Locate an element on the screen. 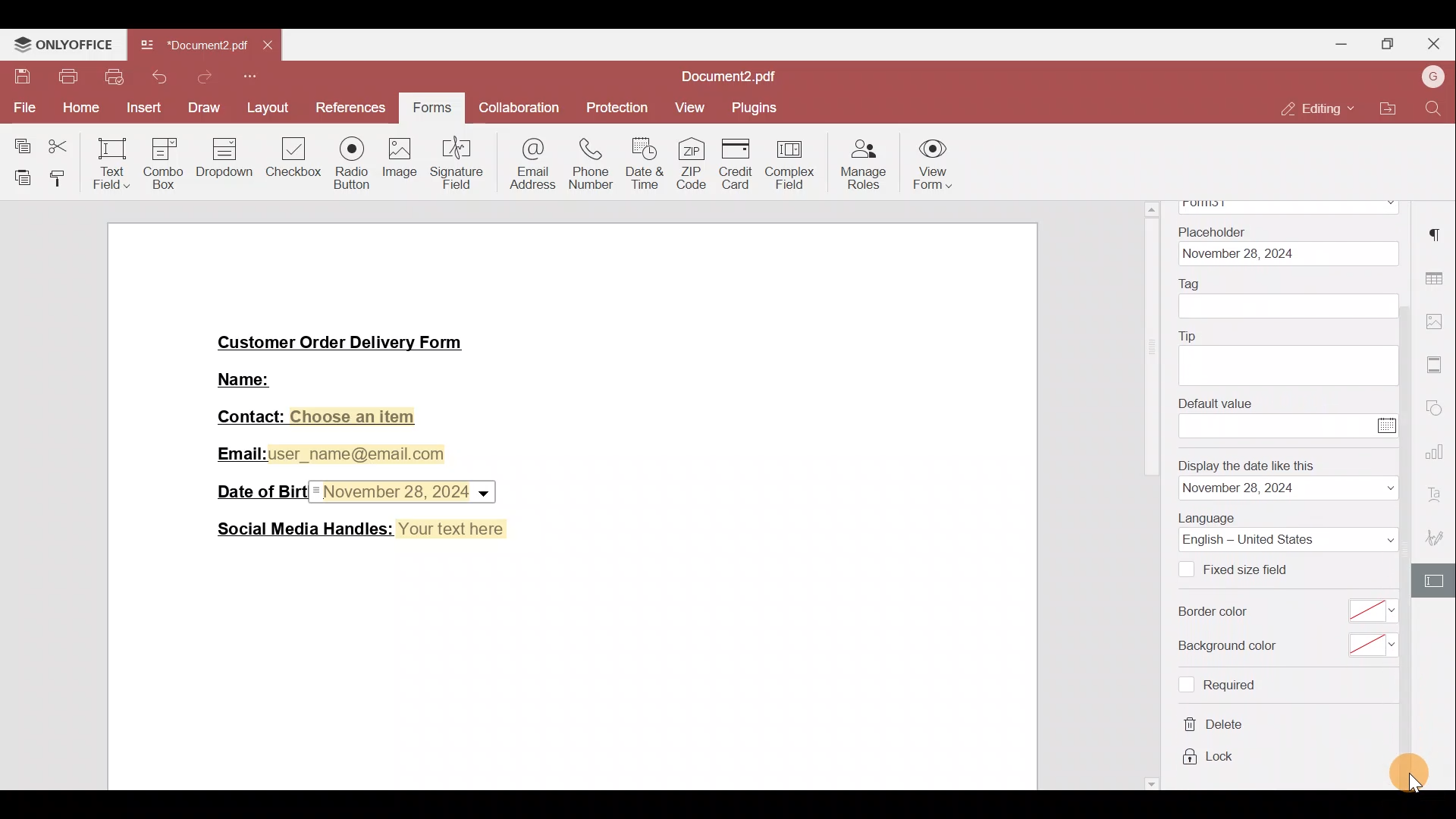 This screenshot has height=819, width=1456. Checkbox is located at coordinates (295, 163).